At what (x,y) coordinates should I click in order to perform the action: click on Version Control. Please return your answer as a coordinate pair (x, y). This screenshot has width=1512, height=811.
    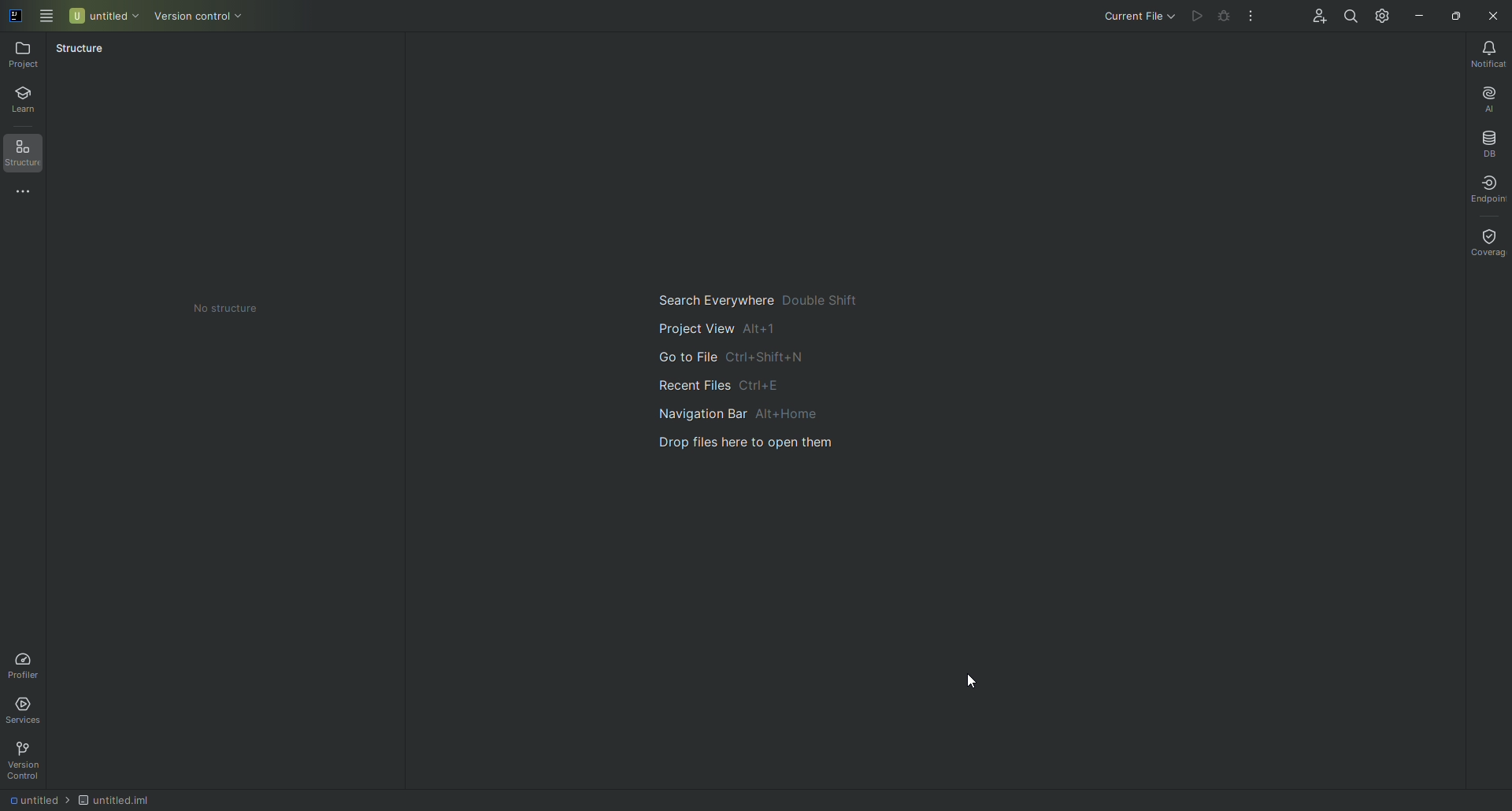
    Looking at the image, I should click on (28, 759).